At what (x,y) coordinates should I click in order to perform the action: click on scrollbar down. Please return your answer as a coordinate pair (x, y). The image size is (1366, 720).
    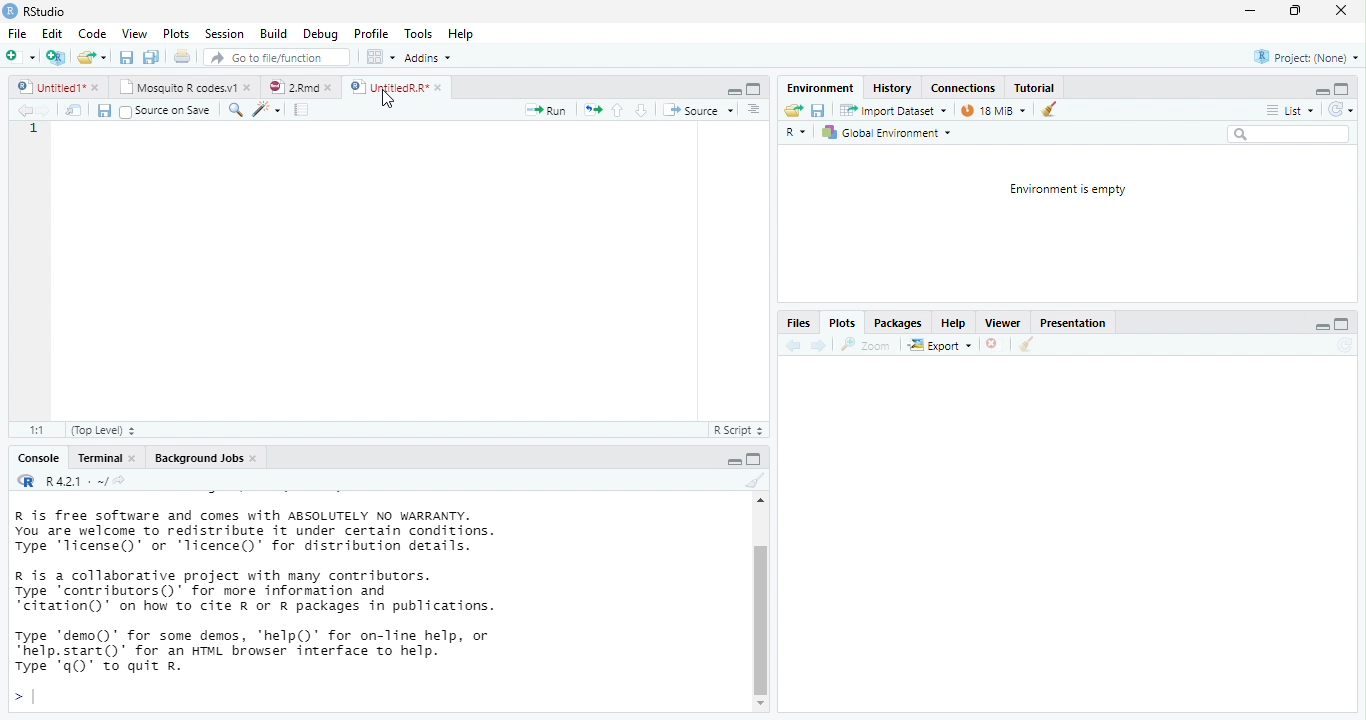
    Looking at the image, I should click on (761, 704).